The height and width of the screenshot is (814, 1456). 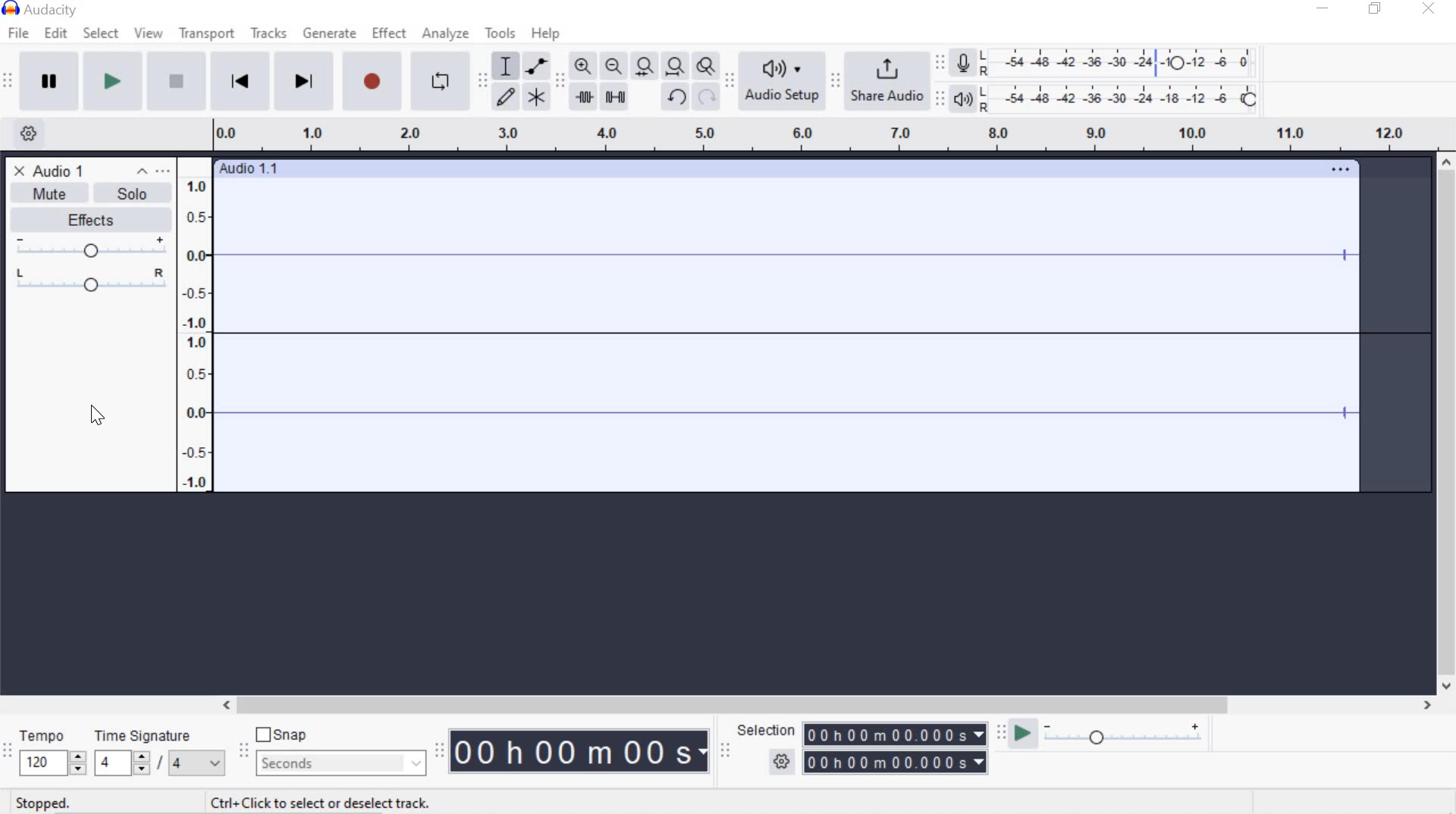 I want to click on effect, so click(x=391, y=33).